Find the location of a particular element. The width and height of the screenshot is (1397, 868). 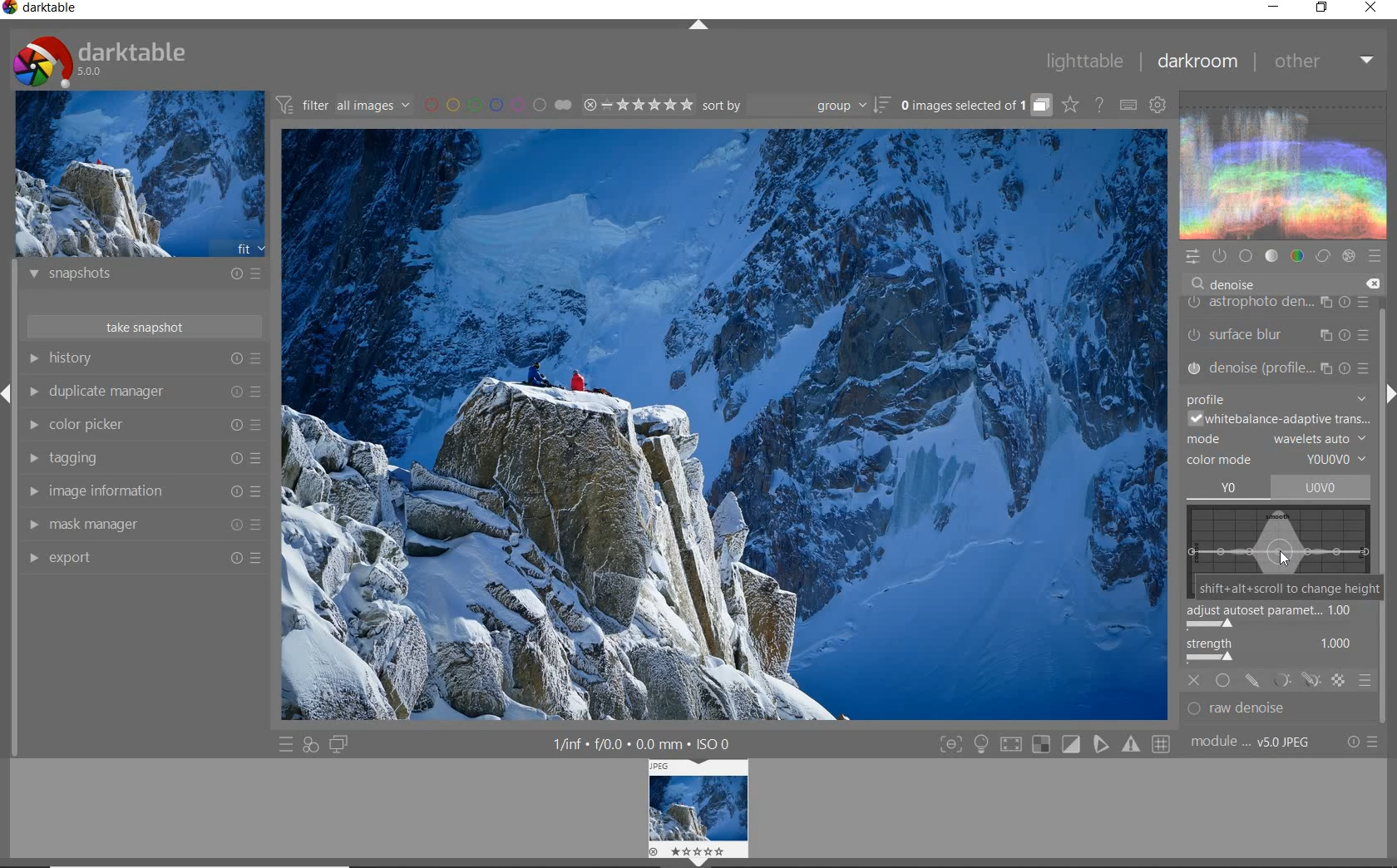

image information is located at coordinates (143, 491).